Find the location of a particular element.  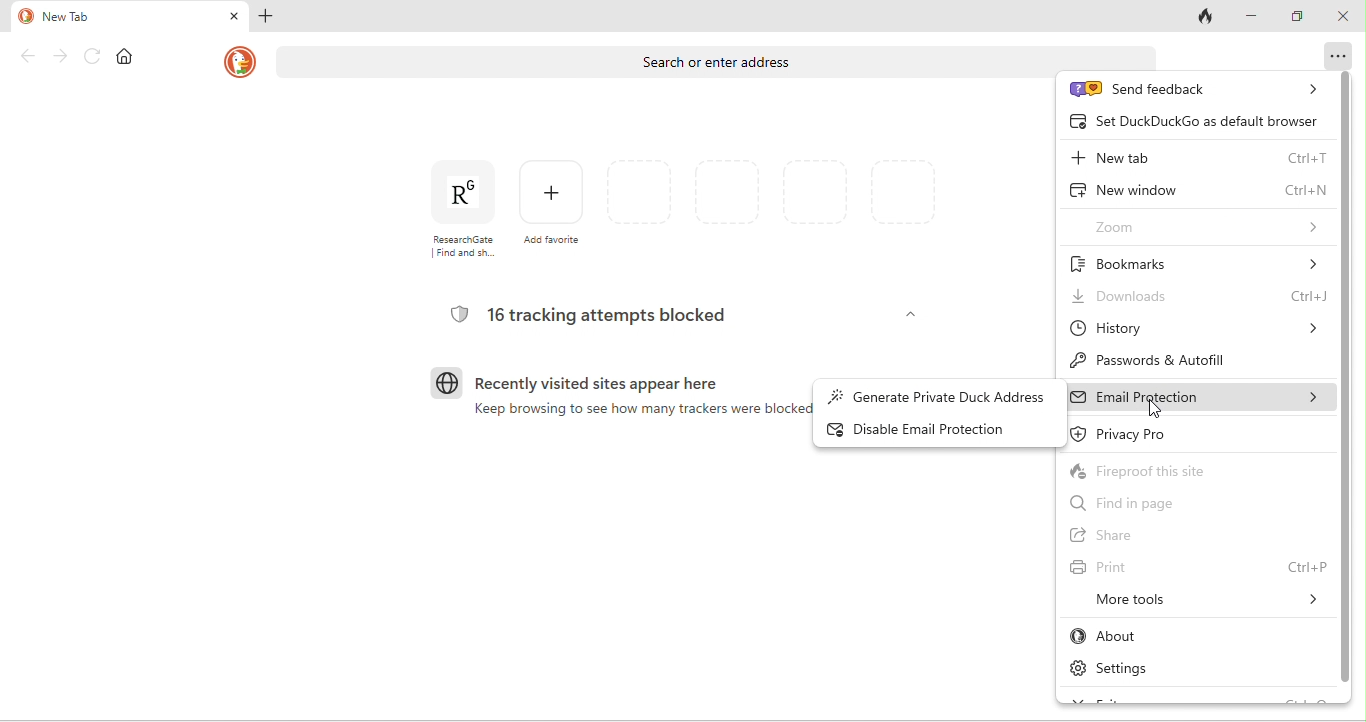

track tab is located at coordinates (1206, 17).